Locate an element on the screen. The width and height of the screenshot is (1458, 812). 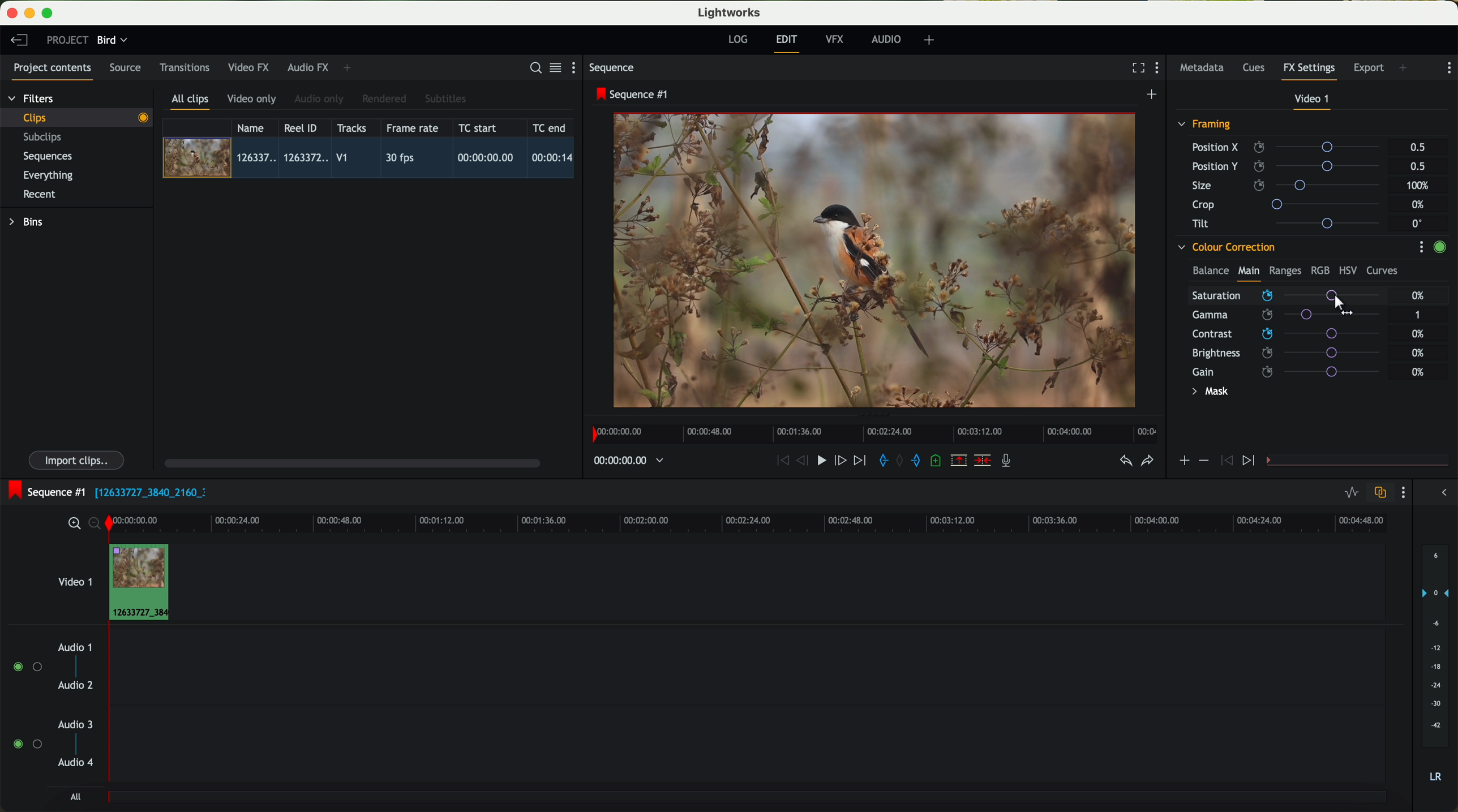
drag video to video track 1 is located at coordinates (144, 583).